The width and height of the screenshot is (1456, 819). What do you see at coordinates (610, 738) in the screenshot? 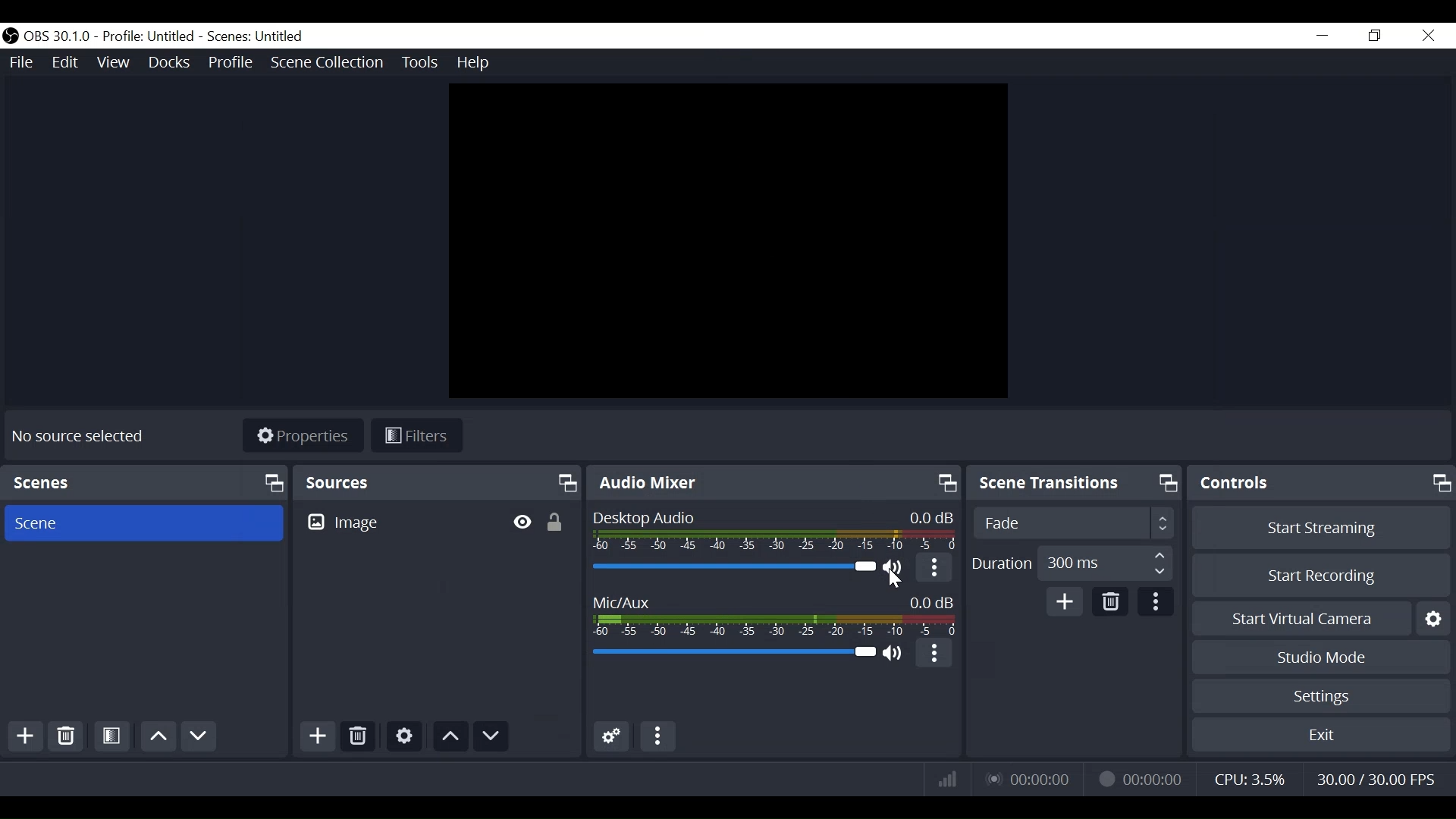
I see `Advanced Audio Settings` at bounding box center [610, 738].